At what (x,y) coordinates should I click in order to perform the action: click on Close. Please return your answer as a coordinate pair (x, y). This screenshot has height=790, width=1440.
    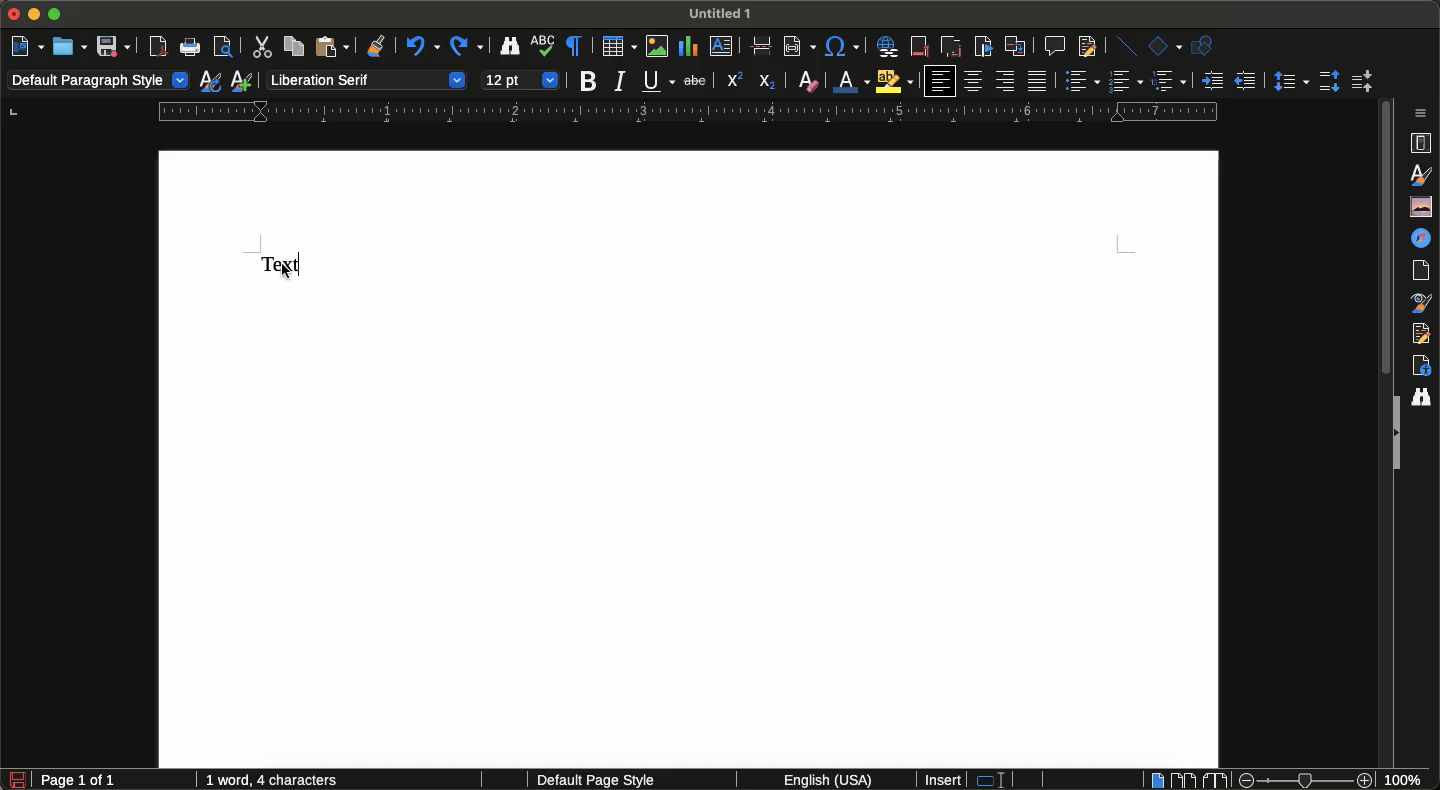
    Looking at the image, I should click on (14, 15).